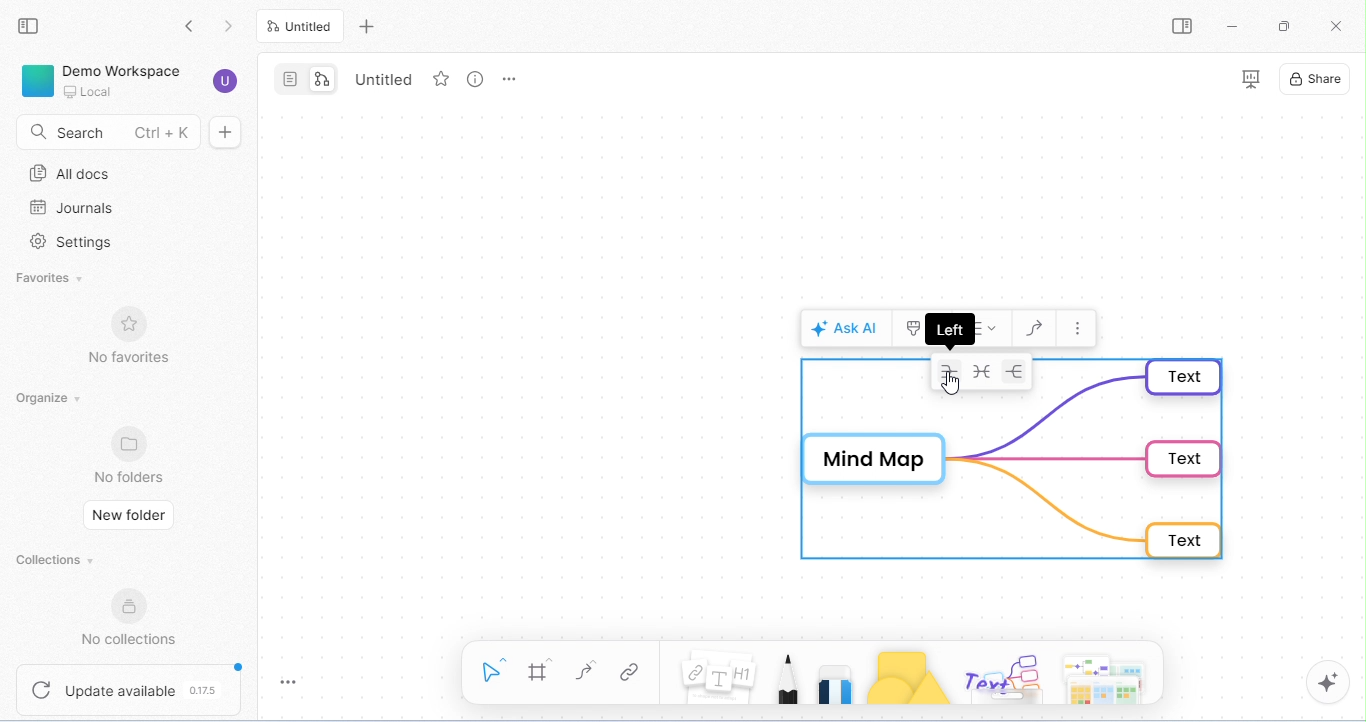 This screenshot has height=722, width=1366. I want to click on collections, so click(56, 559).